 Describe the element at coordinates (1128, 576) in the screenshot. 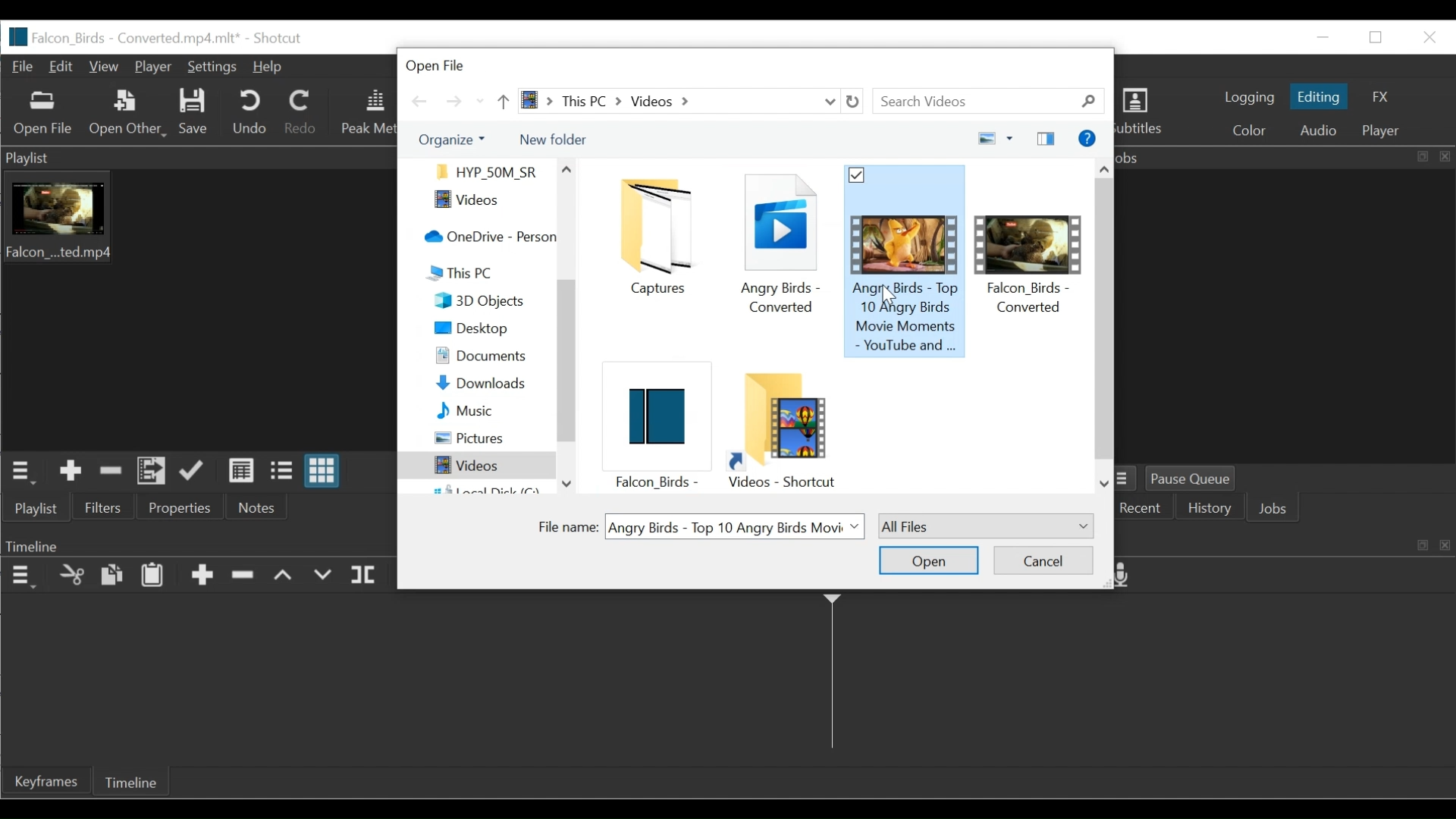

I see `Record audio` at that location.